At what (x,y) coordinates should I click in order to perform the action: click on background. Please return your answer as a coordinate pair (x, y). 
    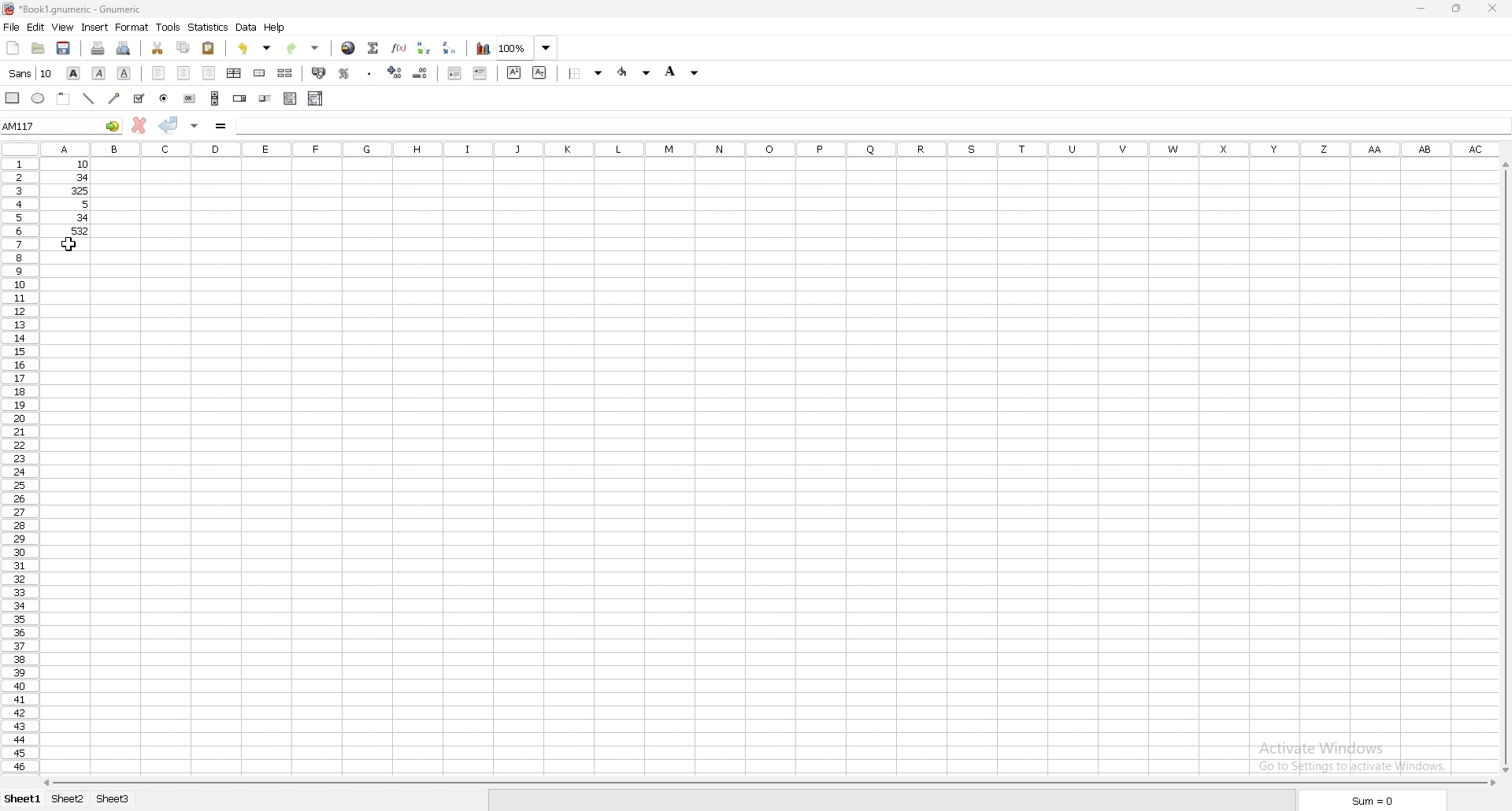
    Looking at the image, I should click on (684, 72).